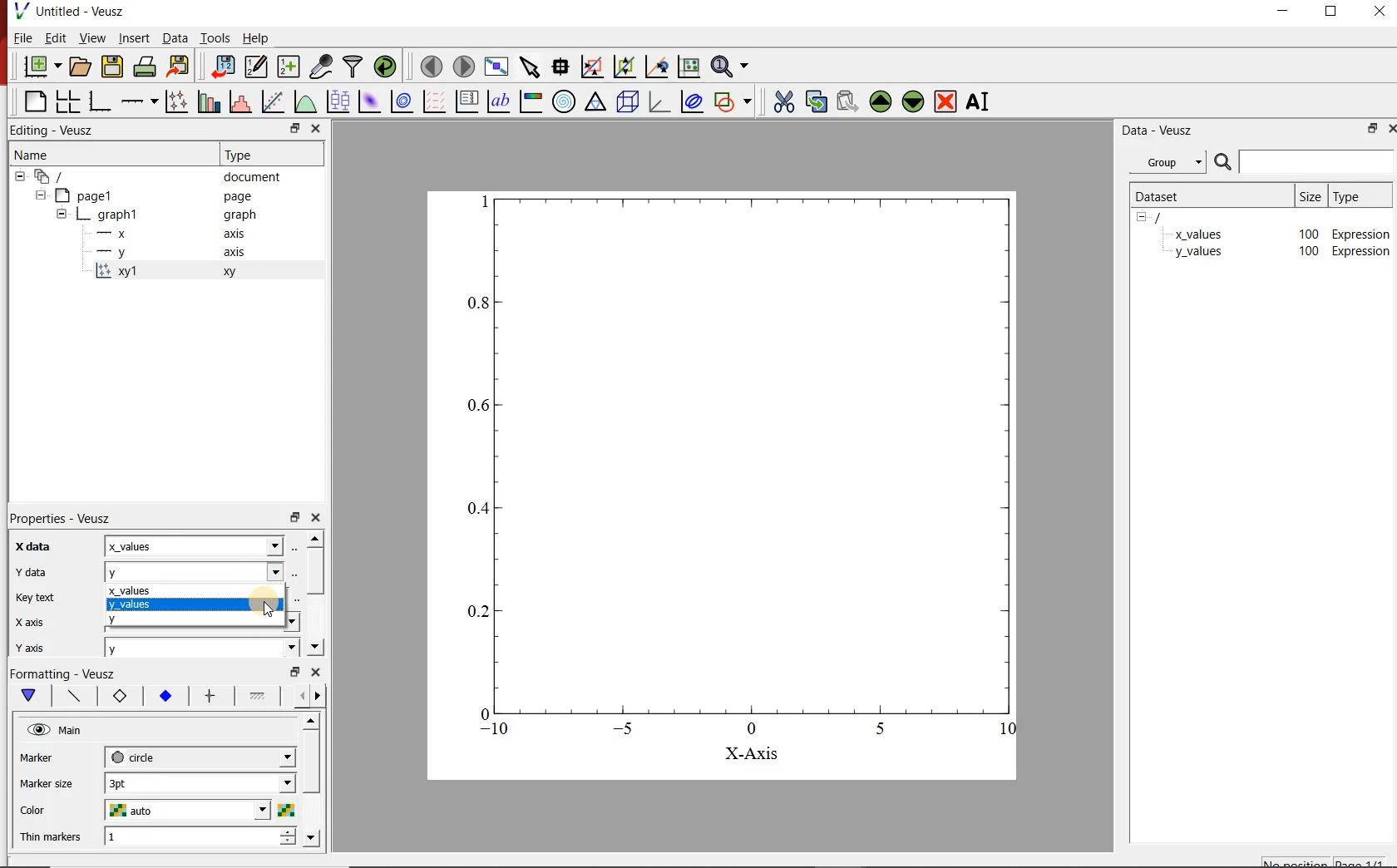  Describe the element at coordinates (100, 103) in the screenshot. I see `bar graph` at that location.